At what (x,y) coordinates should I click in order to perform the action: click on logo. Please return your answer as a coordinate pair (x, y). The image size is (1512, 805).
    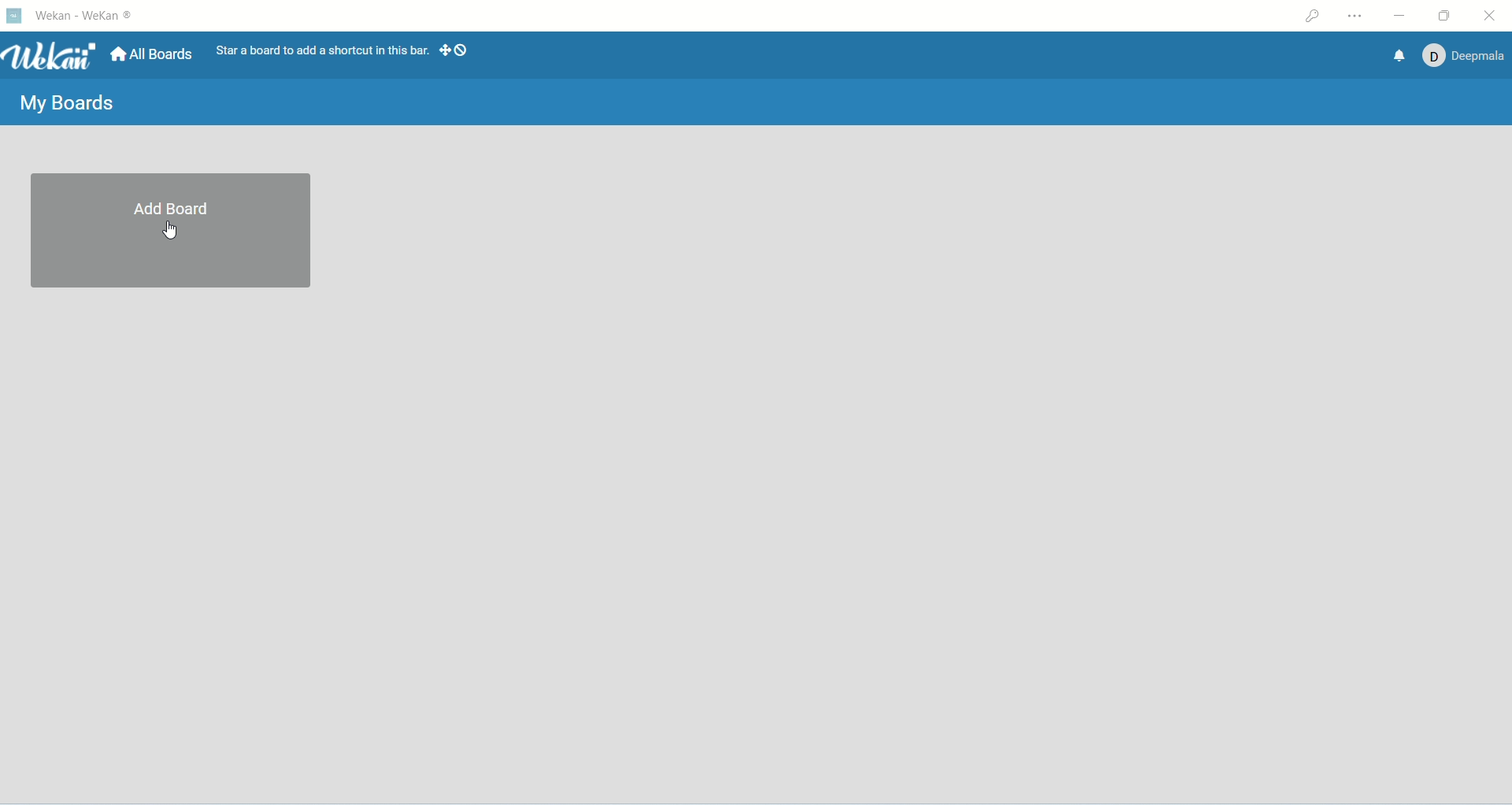
    Looking at the image, I should click on (14, 17).